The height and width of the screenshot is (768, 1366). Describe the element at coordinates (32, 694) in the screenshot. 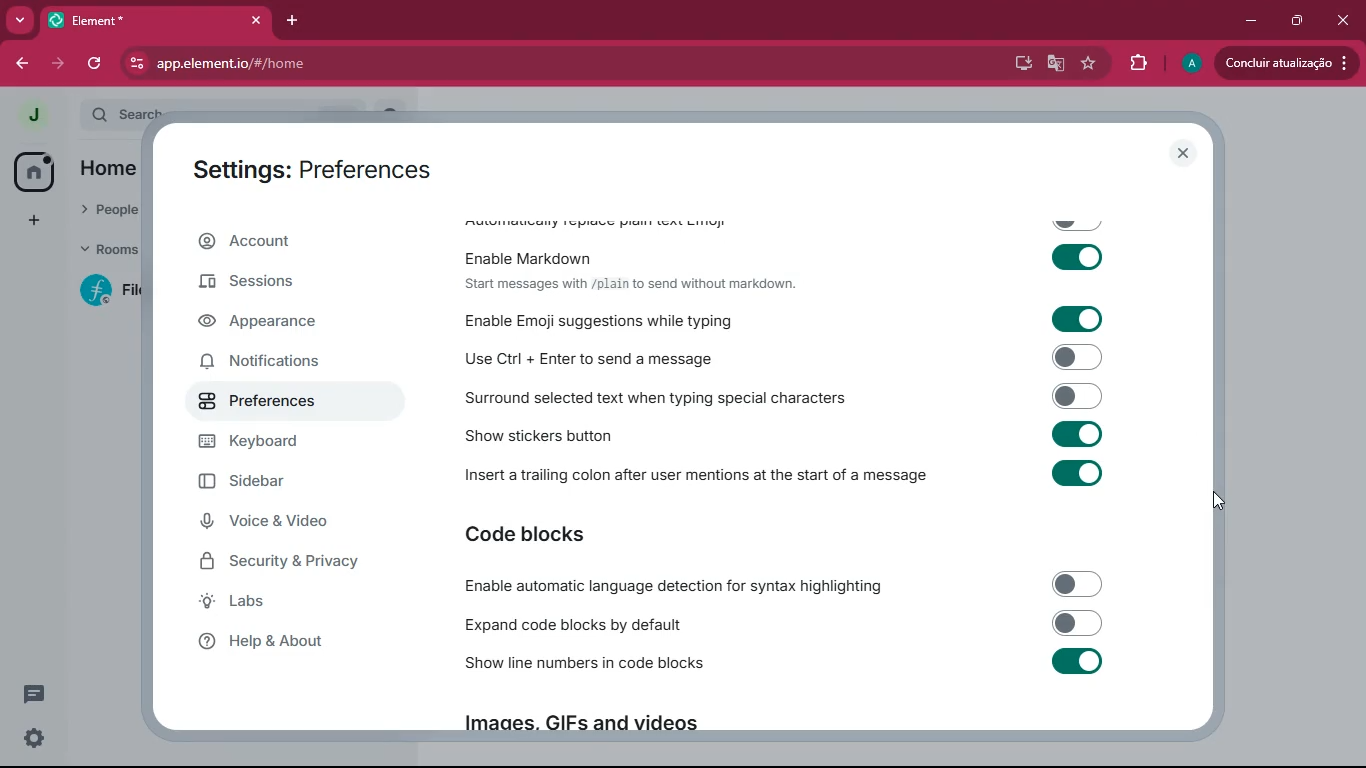

I see `conversation` at that location.